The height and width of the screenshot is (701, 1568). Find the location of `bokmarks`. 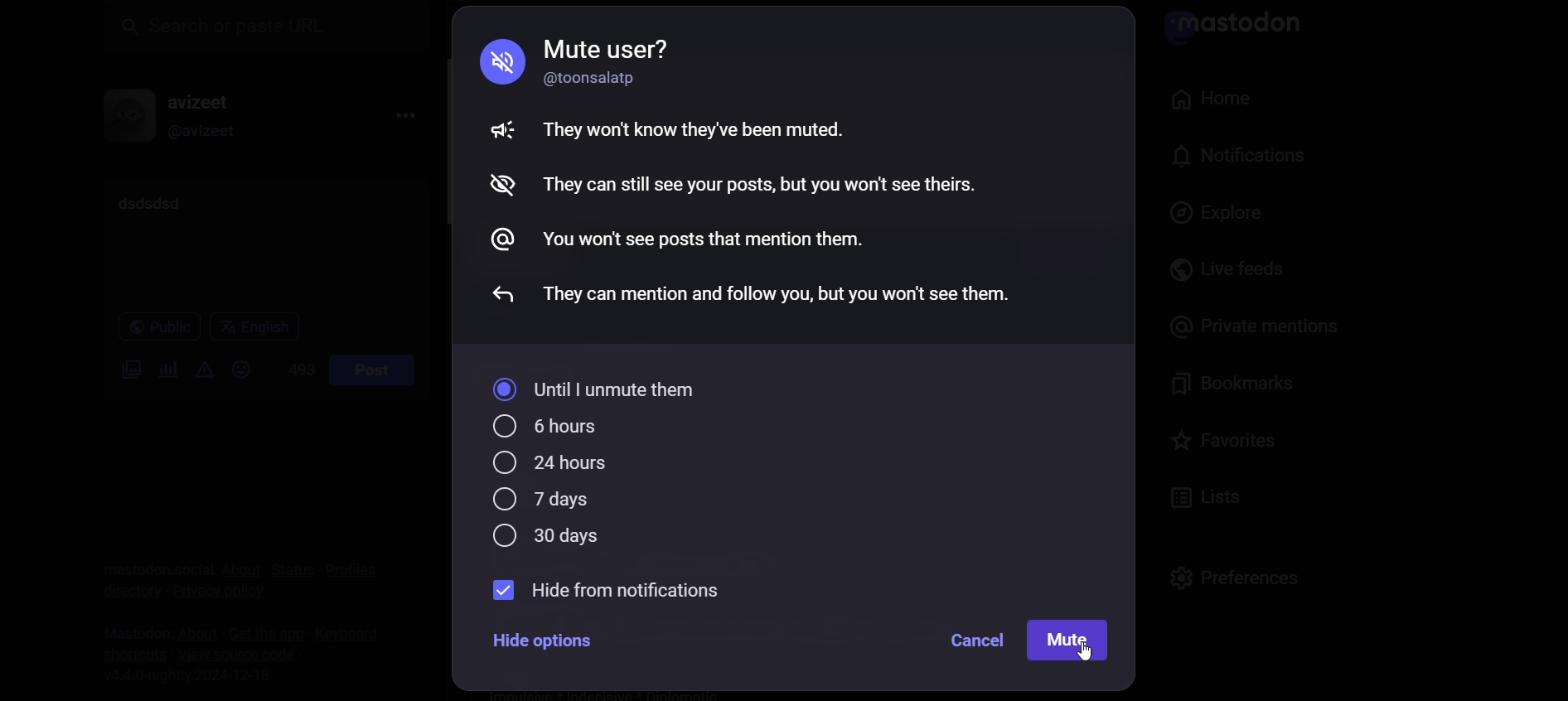

bokmarks is located at coordinates (1241, 392).